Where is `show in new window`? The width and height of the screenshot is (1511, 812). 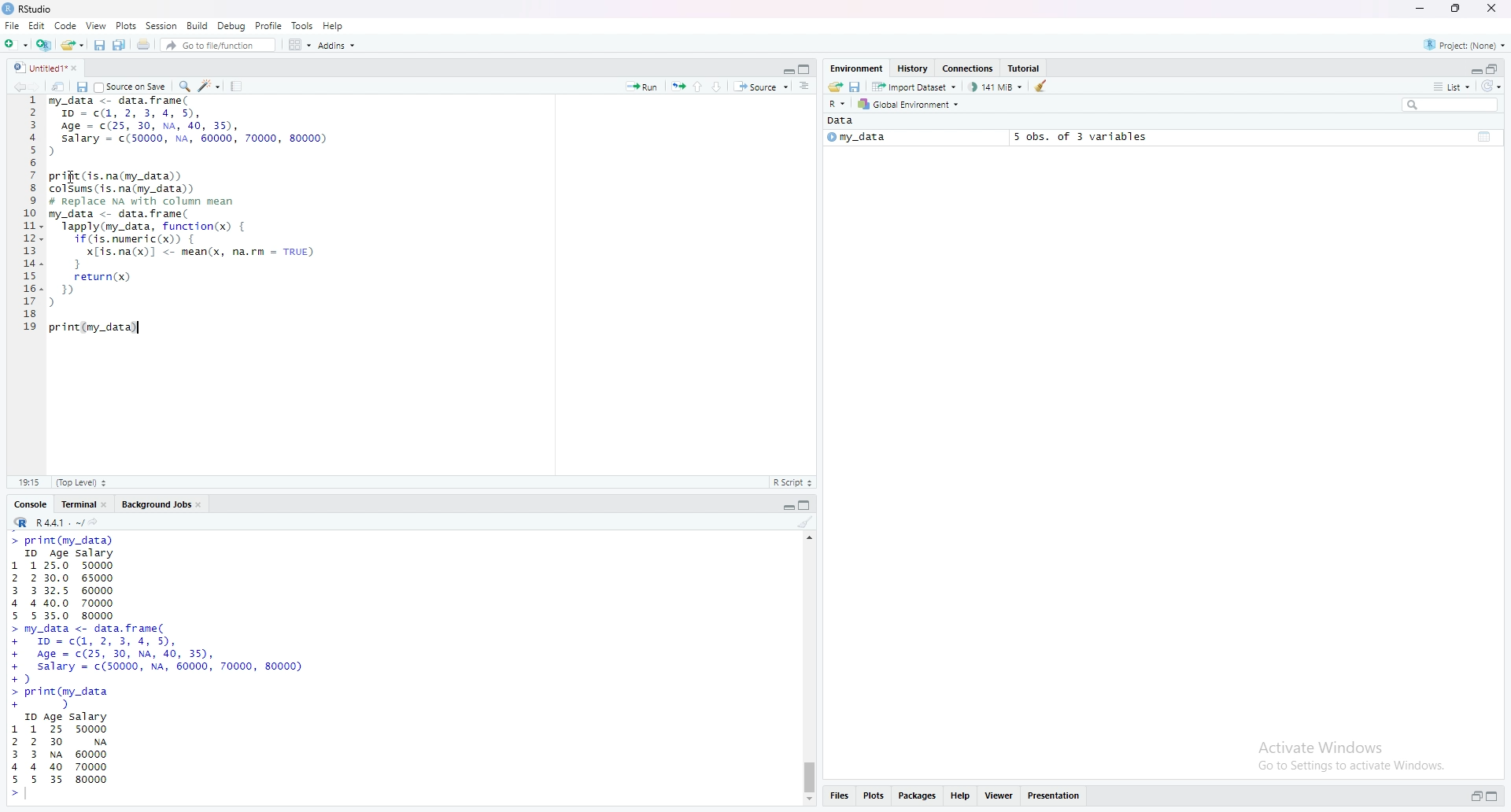
show in new window is located at coordinates (58, 87).